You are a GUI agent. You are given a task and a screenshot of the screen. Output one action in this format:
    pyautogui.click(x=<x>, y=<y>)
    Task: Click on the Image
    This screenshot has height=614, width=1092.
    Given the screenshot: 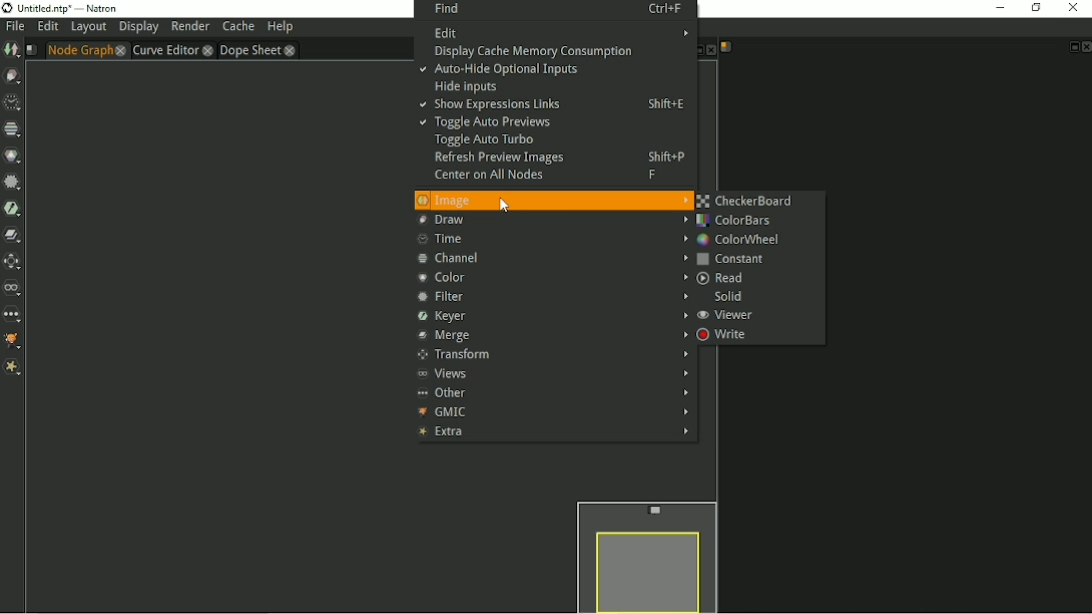 What is the action you would take?
    pyautogui.click(x=552, y=200)
    